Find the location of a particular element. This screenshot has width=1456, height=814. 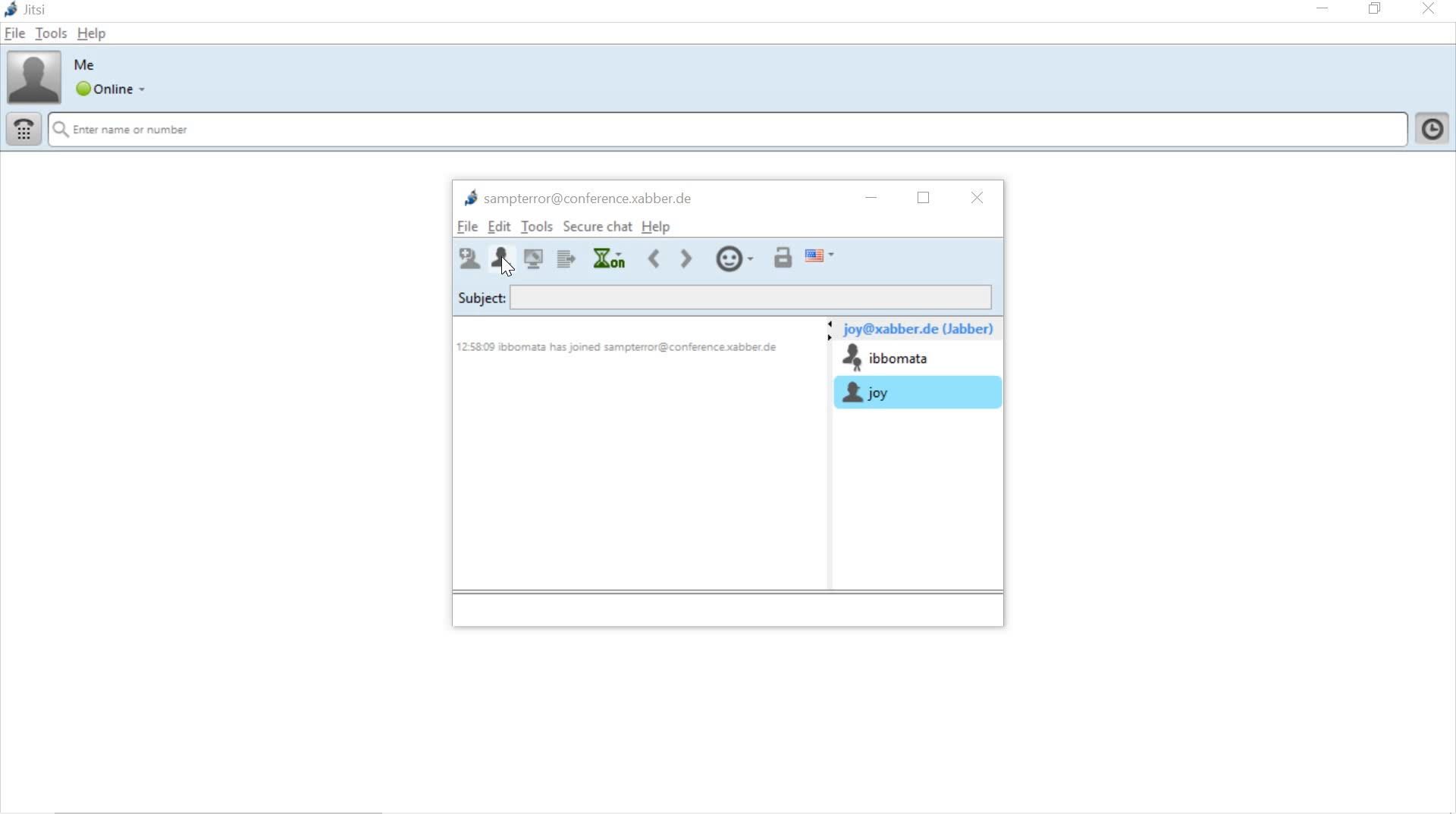

minimize is located at coordinates (1321, 9).